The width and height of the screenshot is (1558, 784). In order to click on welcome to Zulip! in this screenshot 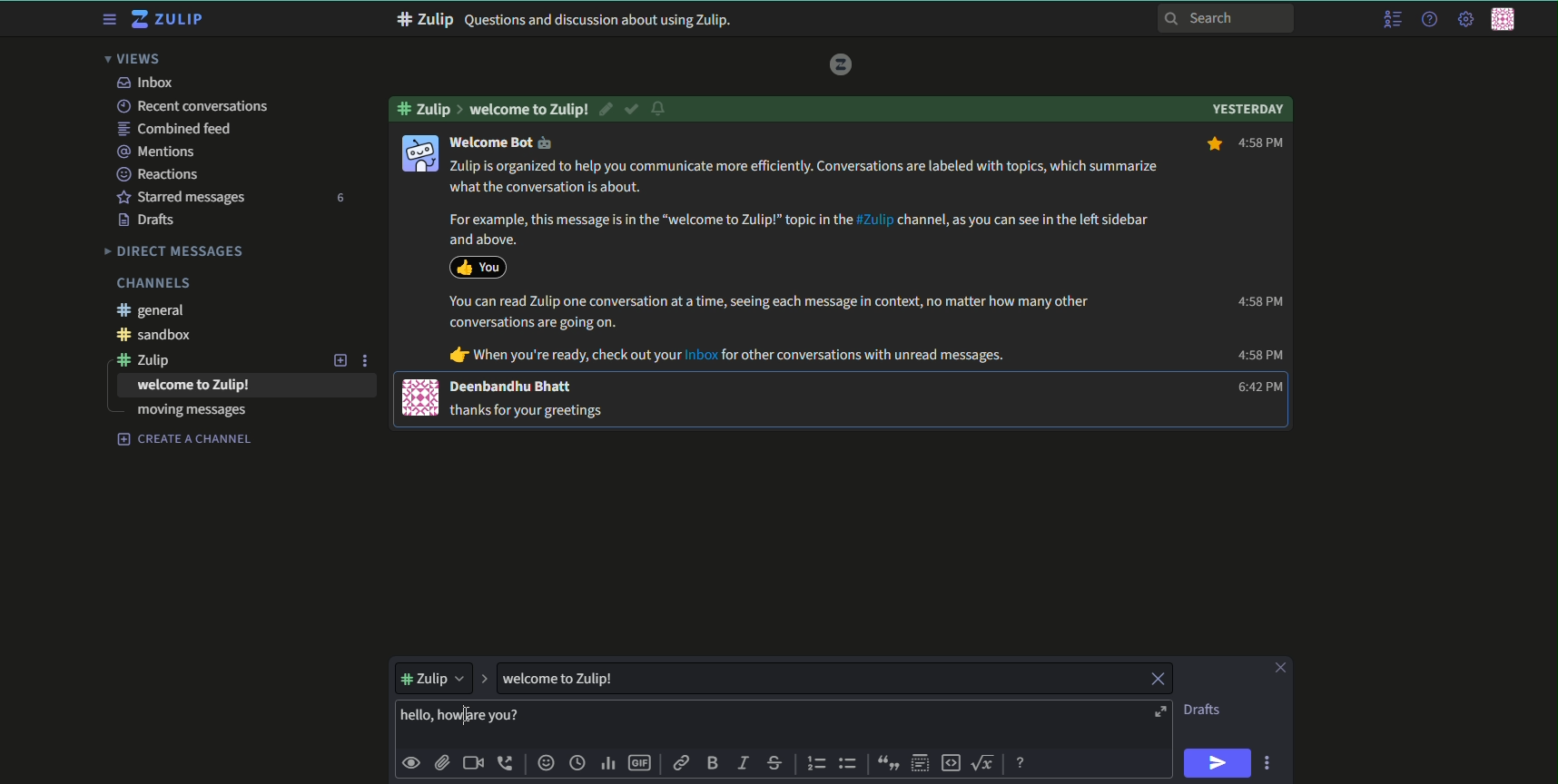, I will do `click(192, 386)`.